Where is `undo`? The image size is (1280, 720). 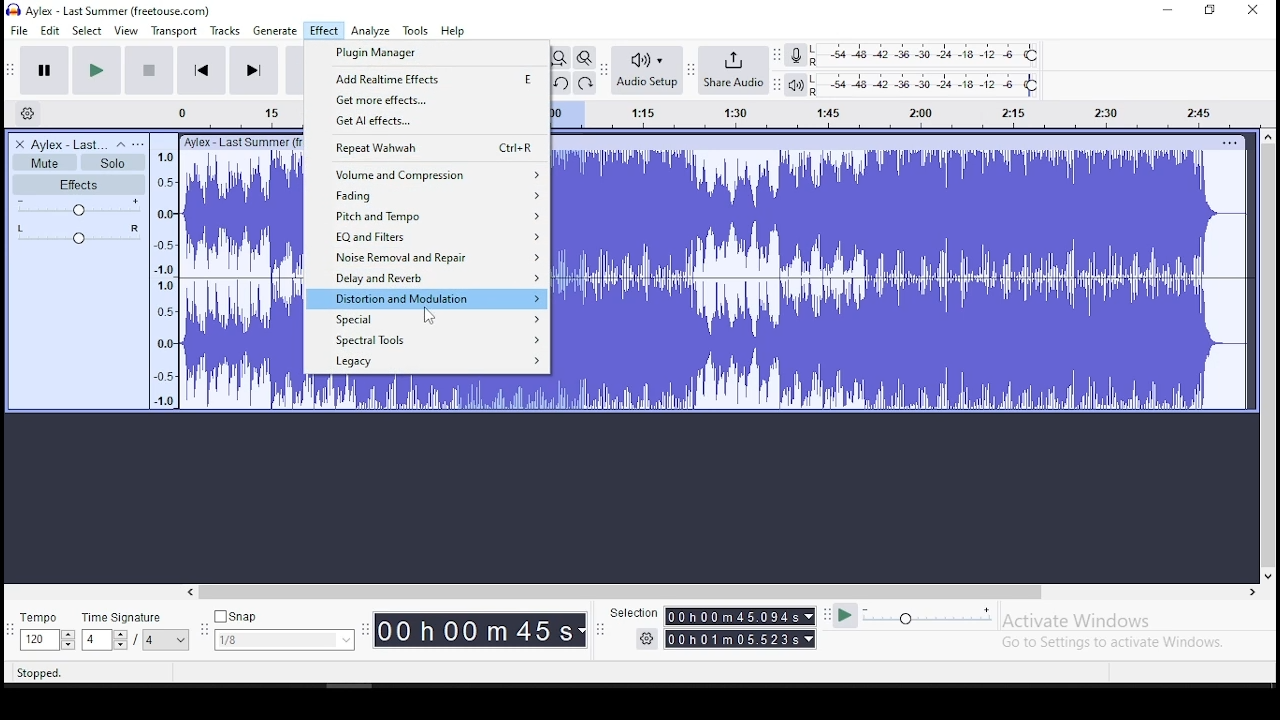 undo is located at coordinates (558, 83).